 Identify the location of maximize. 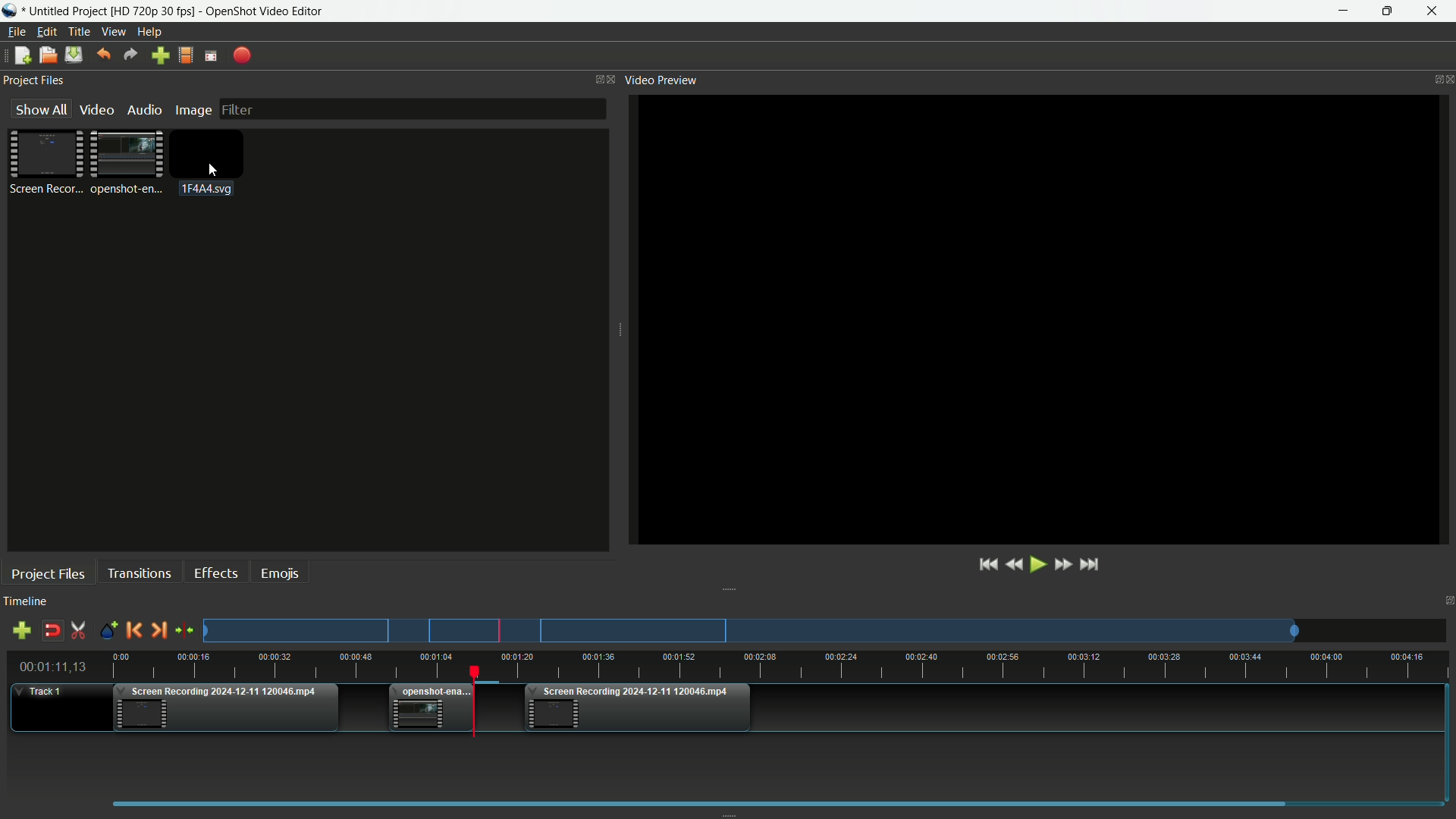
(1387, 11).